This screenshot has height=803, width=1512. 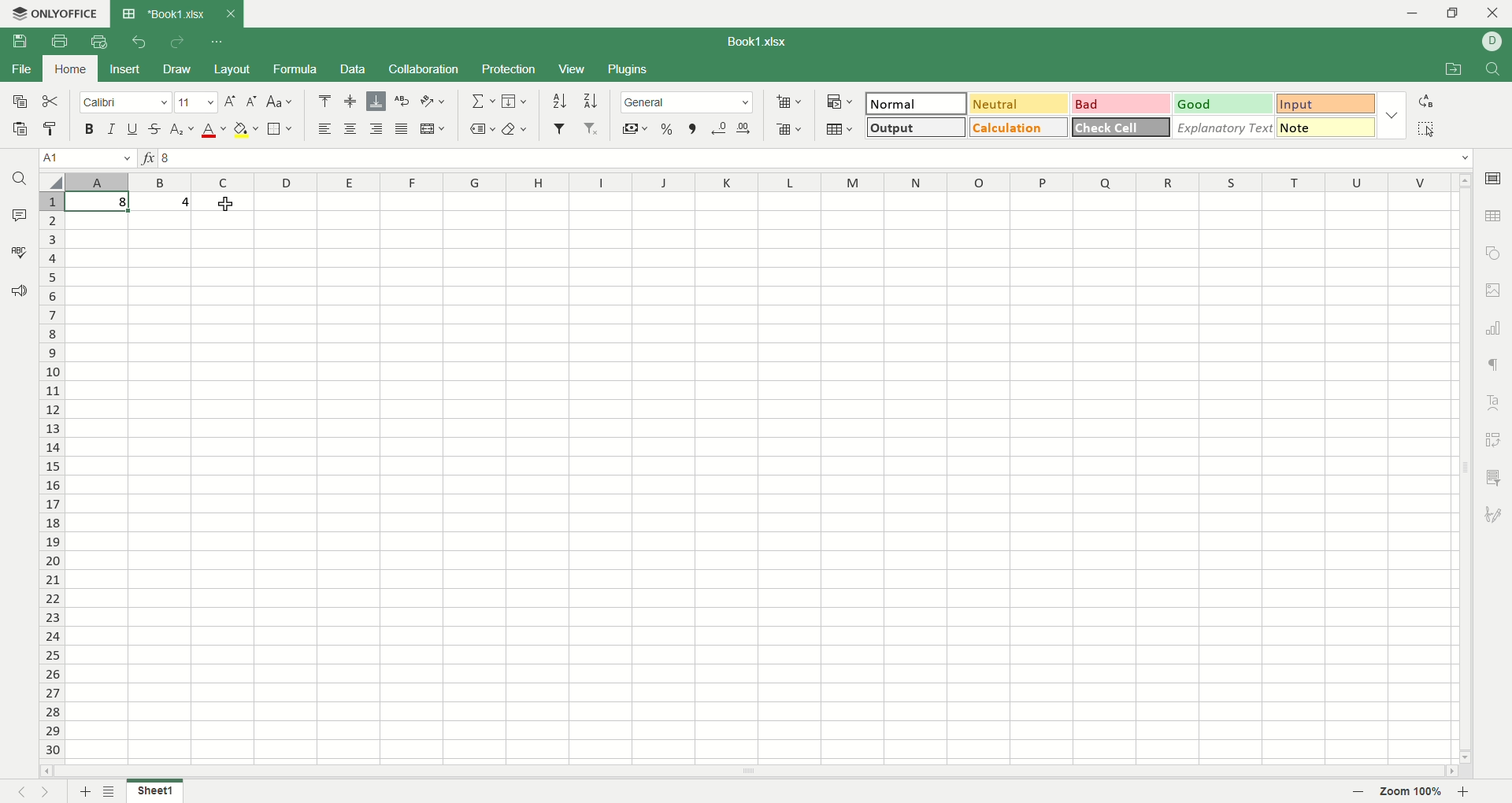 What do you see at coordinates (21, 41) in the screenshot?
I see `save` at bounding box center [21, 41].